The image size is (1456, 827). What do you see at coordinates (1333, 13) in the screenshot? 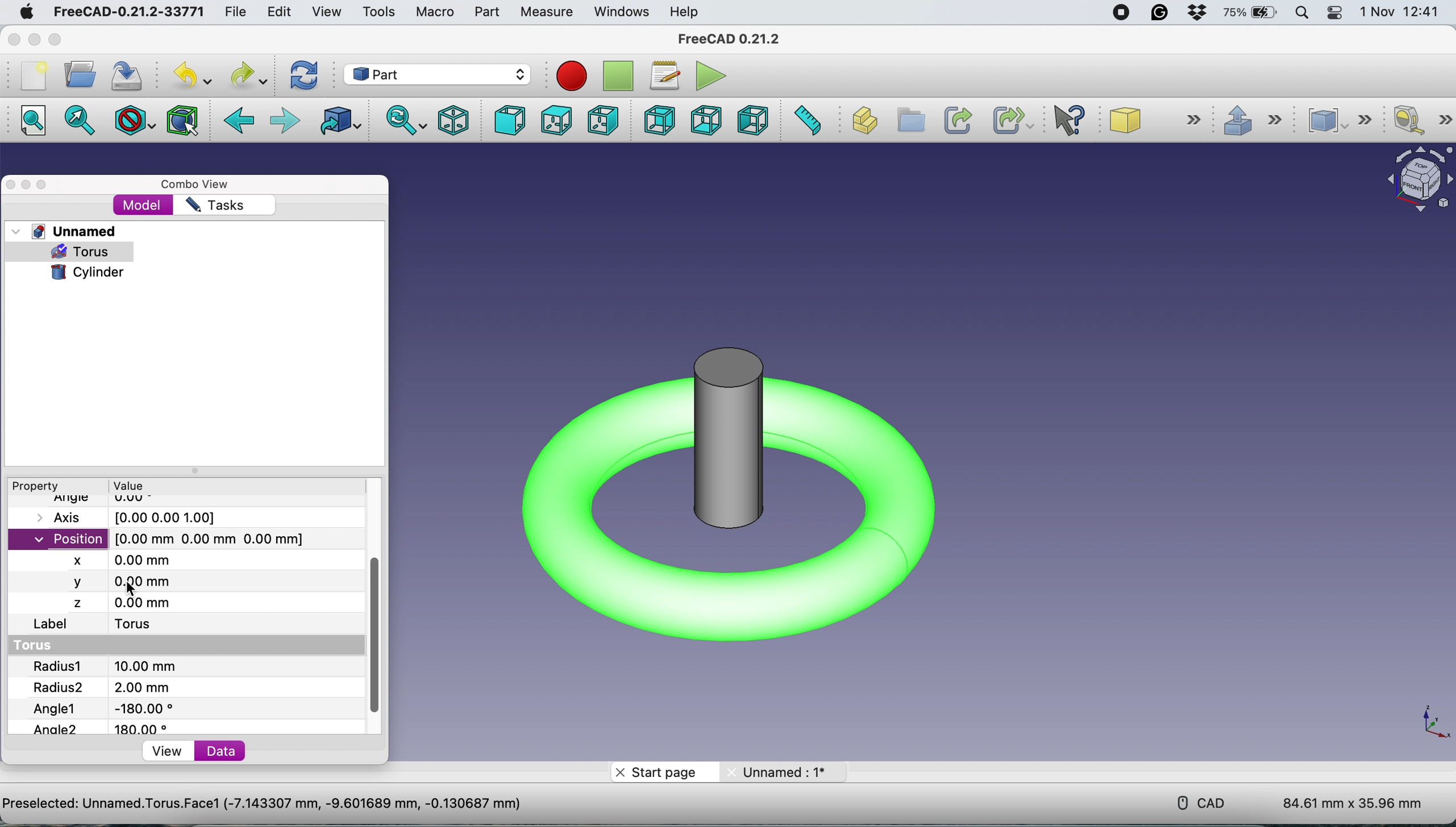
I see `control center` at bounding box center [1333, 13].